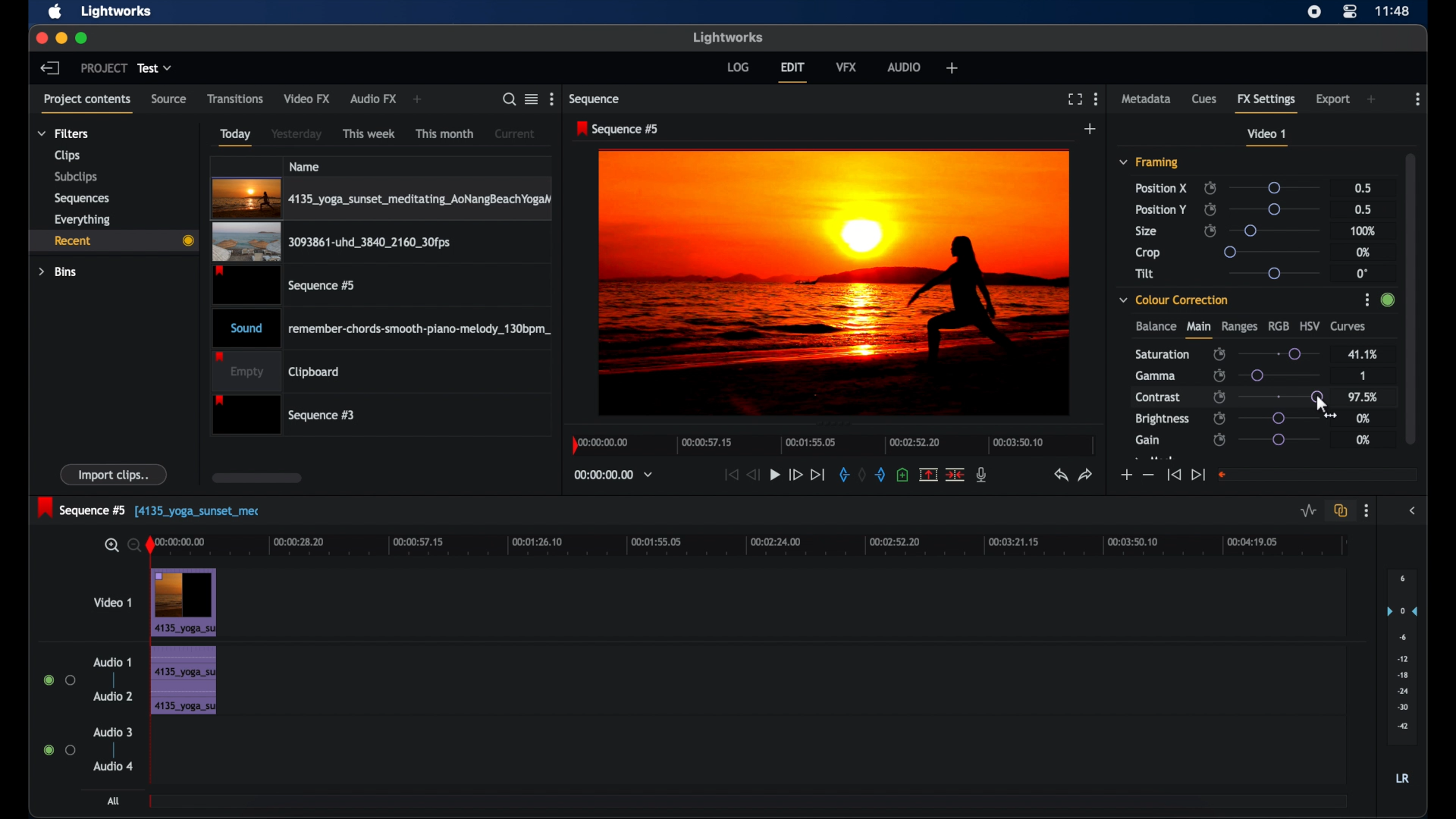 The width and height of the screenshot is (1456, 819). Describe the element at coordinates (818, 474) in the screenshot. I see `jump to end` at that location.